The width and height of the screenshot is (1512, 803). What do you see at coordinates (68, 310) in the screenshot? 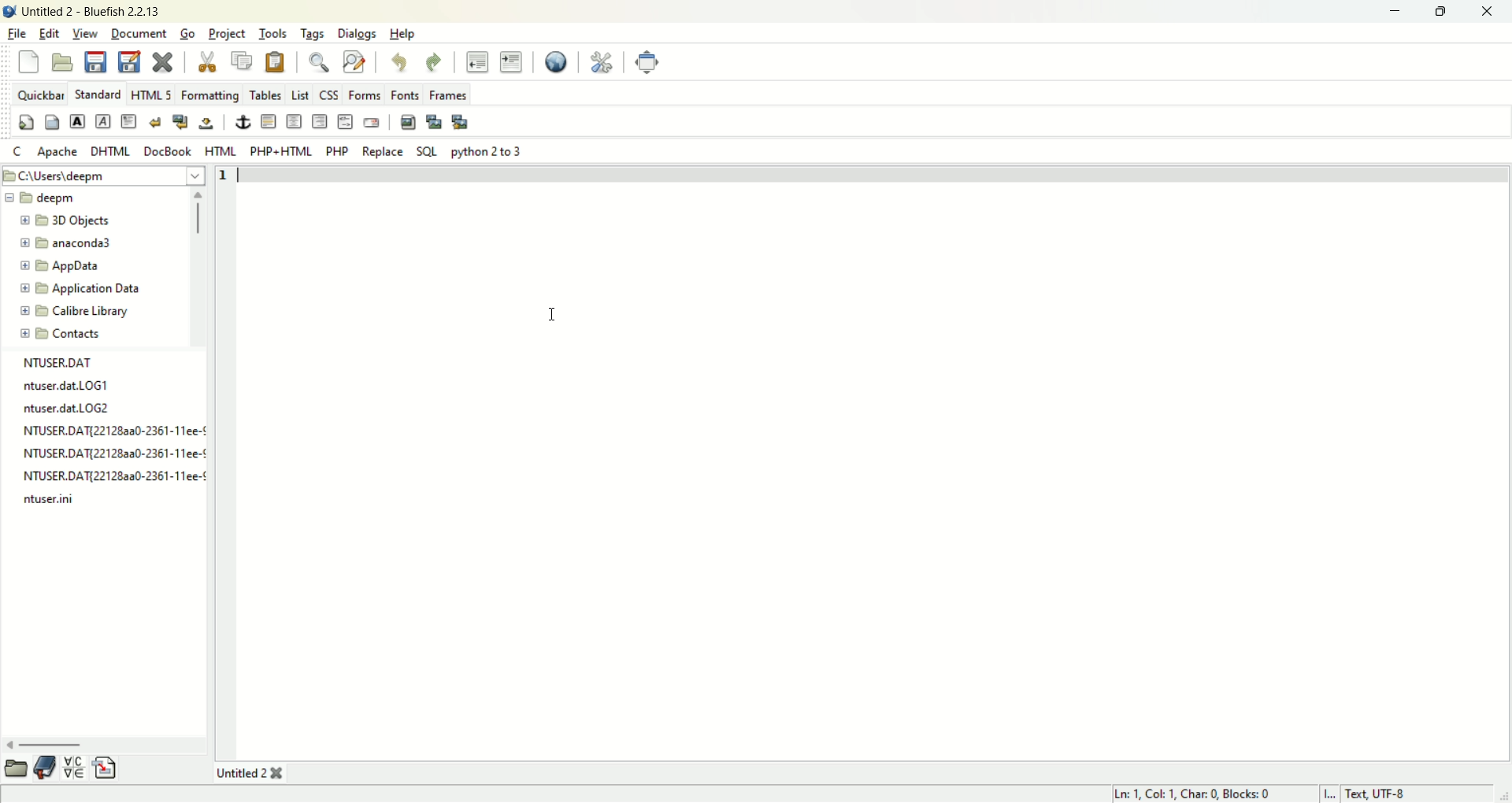
I see `calibre` at bounding box center [68, 310].